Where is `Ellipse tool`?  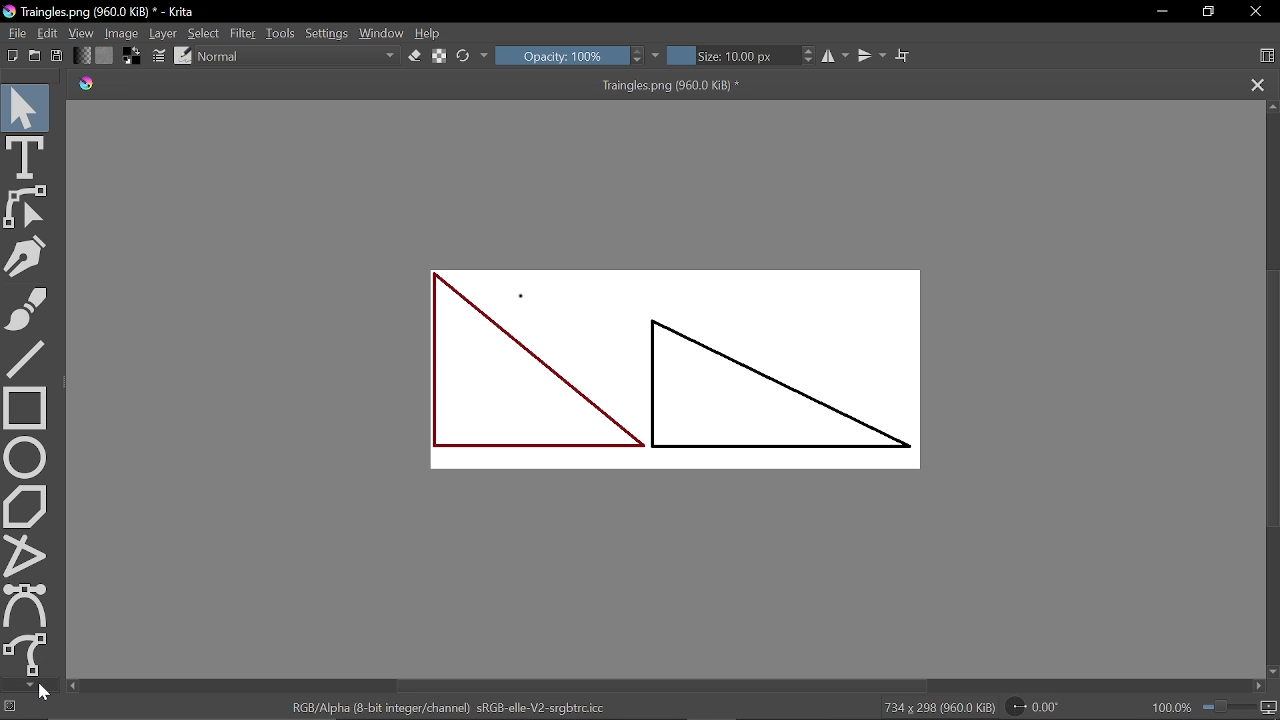 Ellipse tool is located at coordinates (27, 457).